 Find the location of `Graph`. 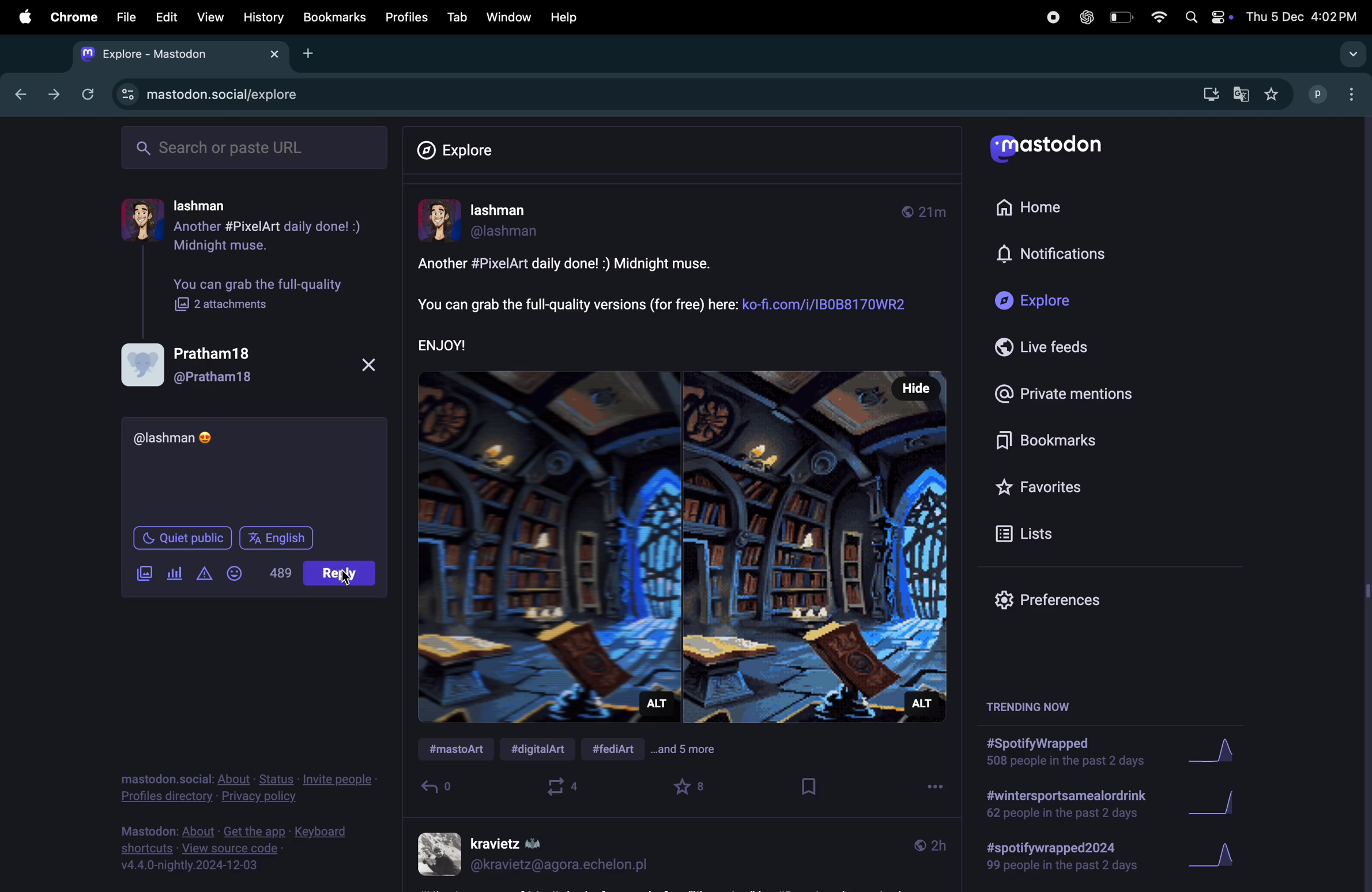

Graph is located at coordinates (1220, 806).